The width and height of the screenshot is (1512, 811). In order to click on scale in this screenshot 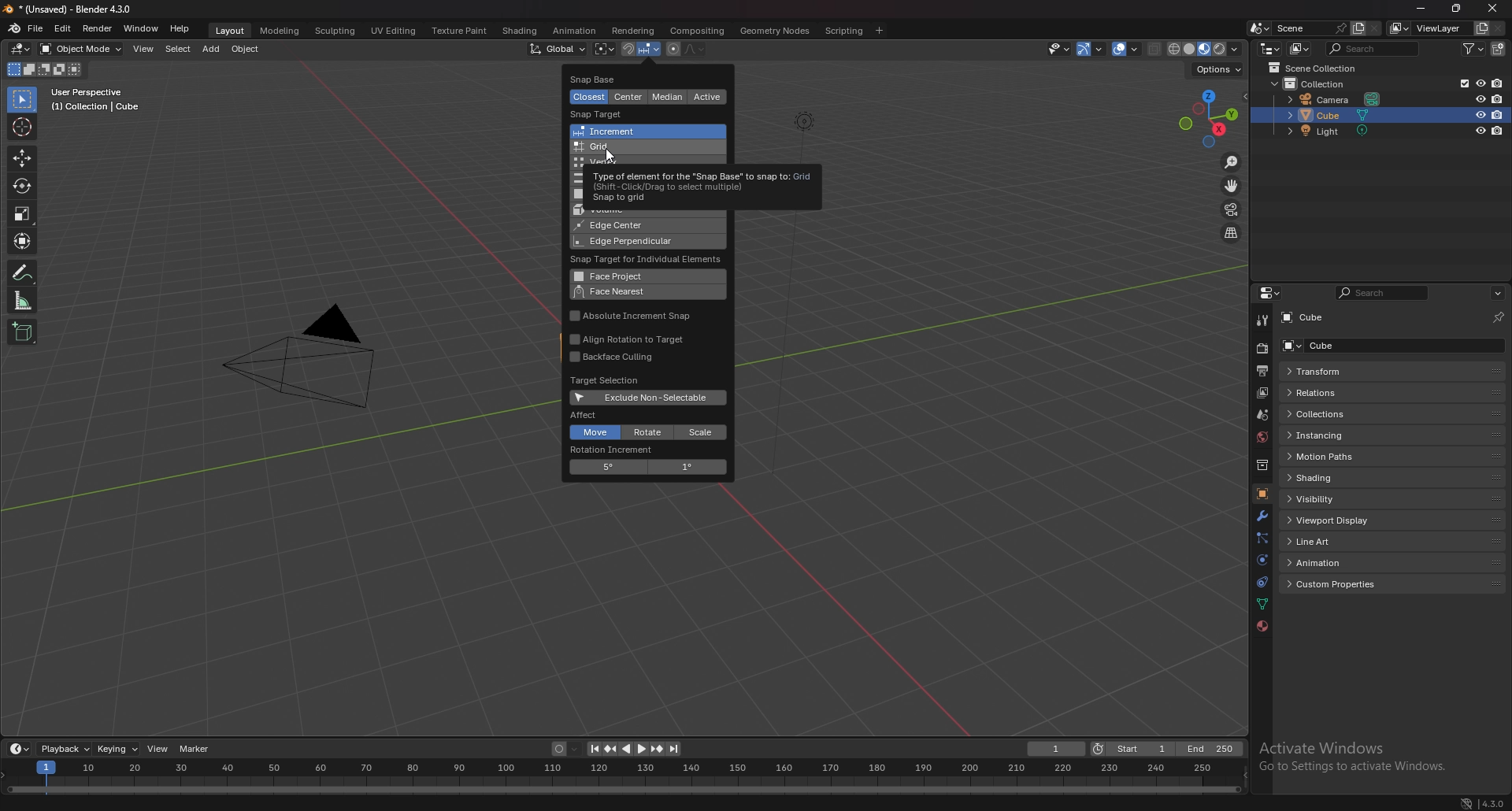, I will do `click(701, 432)`.